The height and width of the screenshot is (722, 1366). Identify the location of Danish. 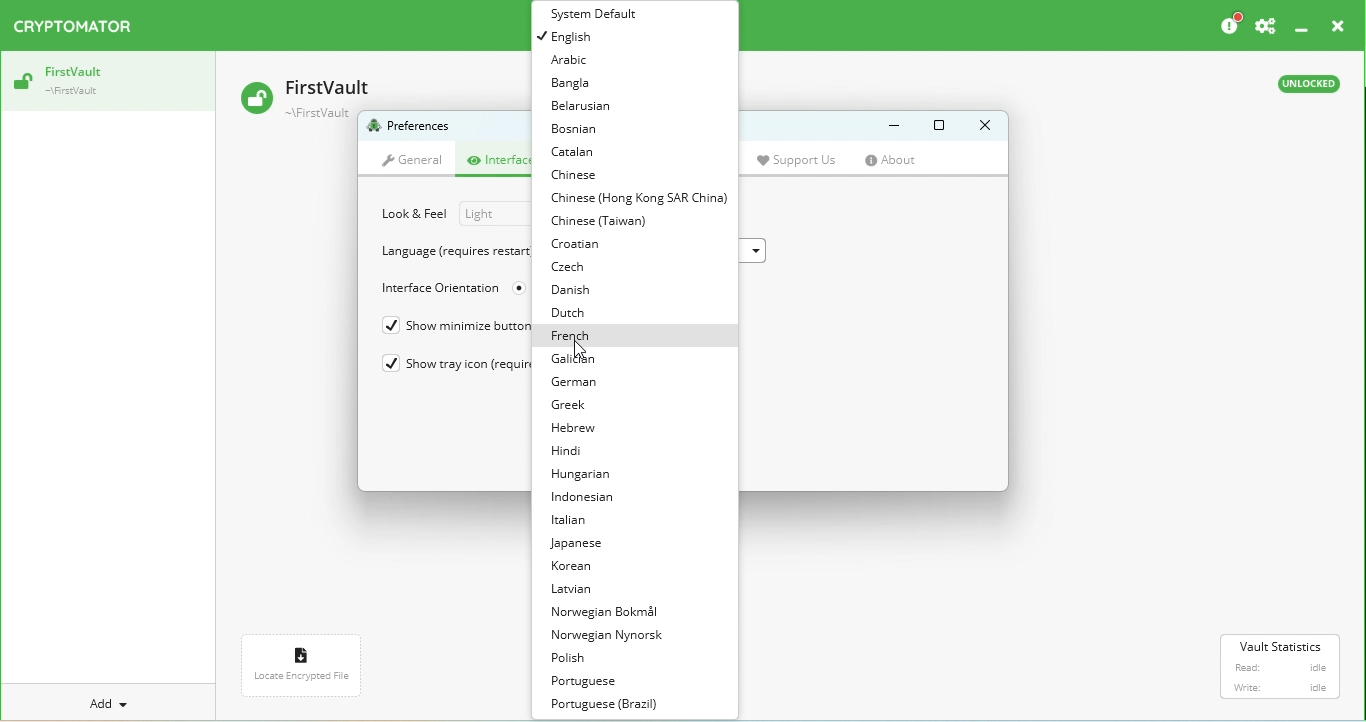
(576, 288).